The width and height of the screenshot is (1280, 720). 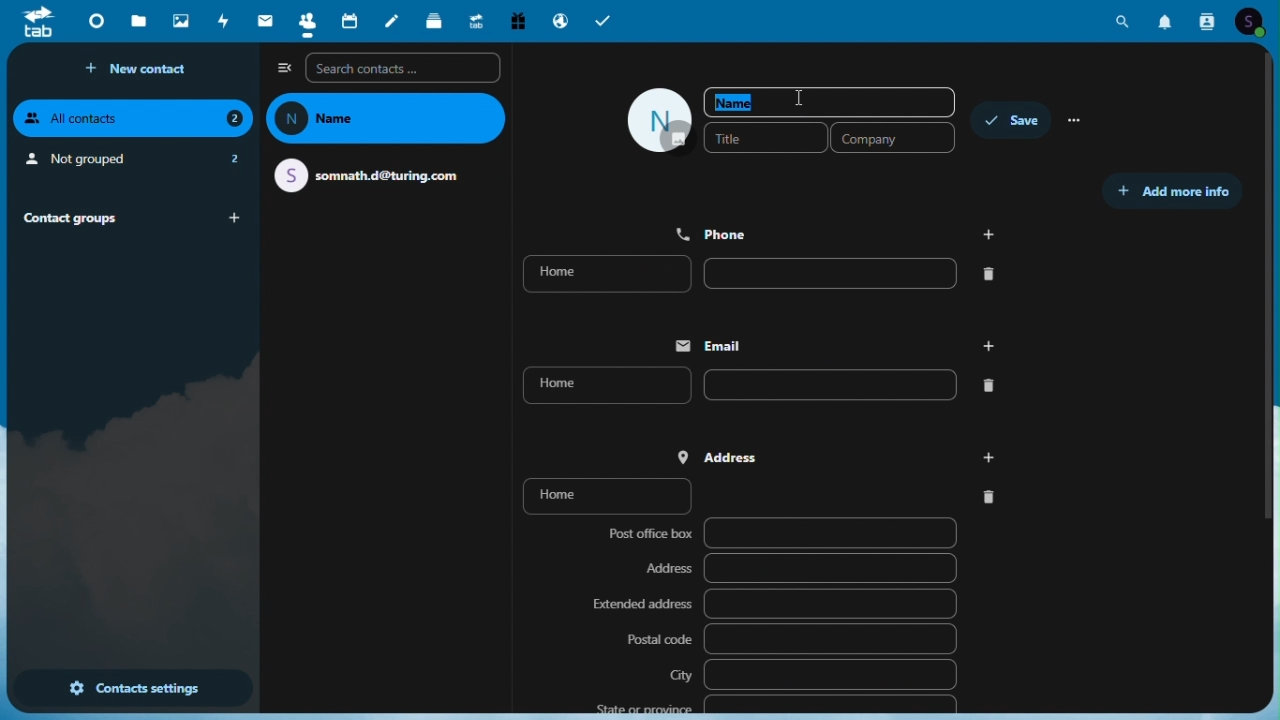 I want to click on Account icon, so click(x=1258, y=22).